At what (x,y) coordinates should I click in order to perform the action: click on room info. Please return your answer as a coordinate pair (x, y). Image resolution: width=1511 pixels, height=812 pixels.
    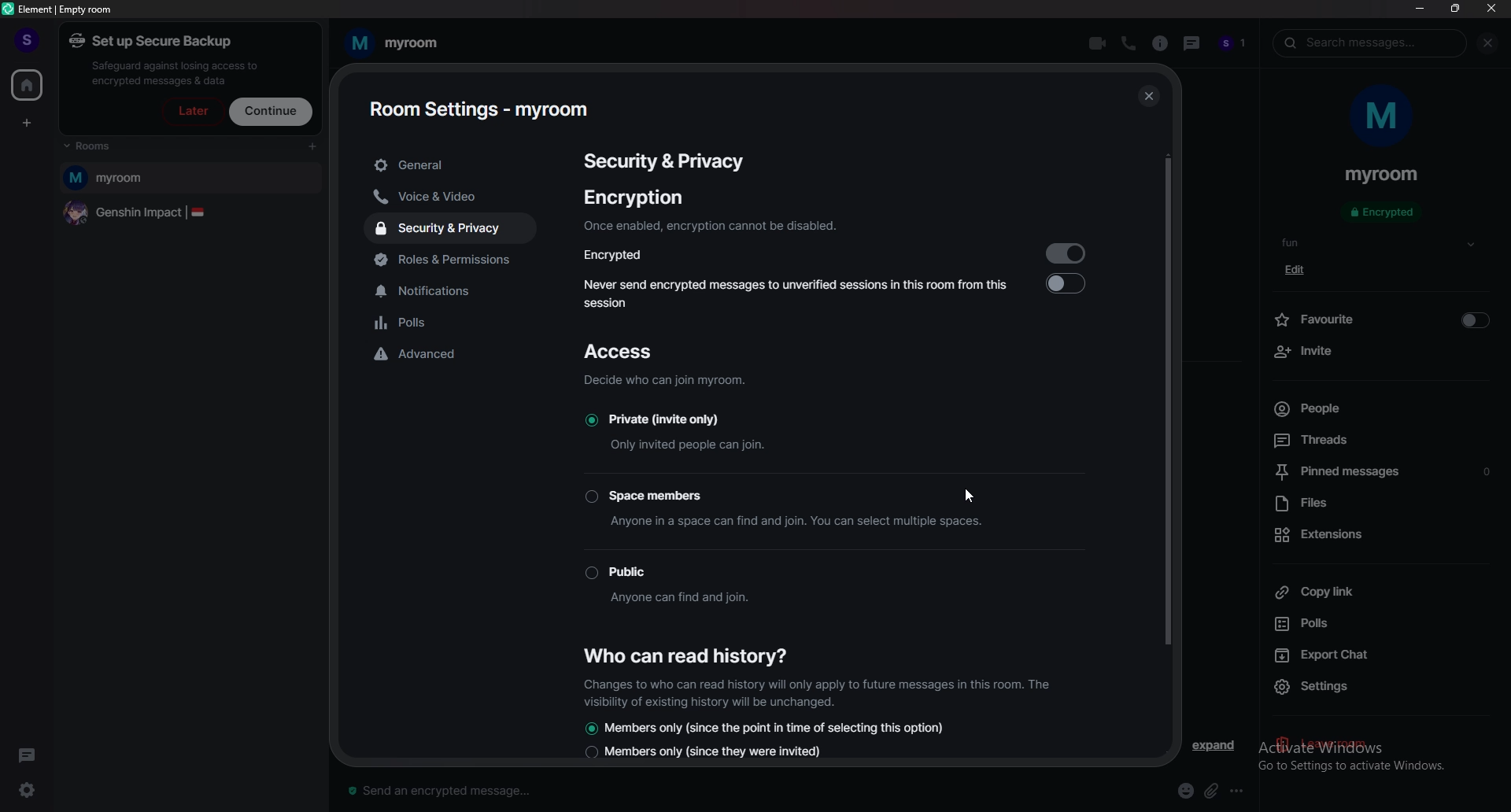
    Looking at the image, I should click on (1160, 44).